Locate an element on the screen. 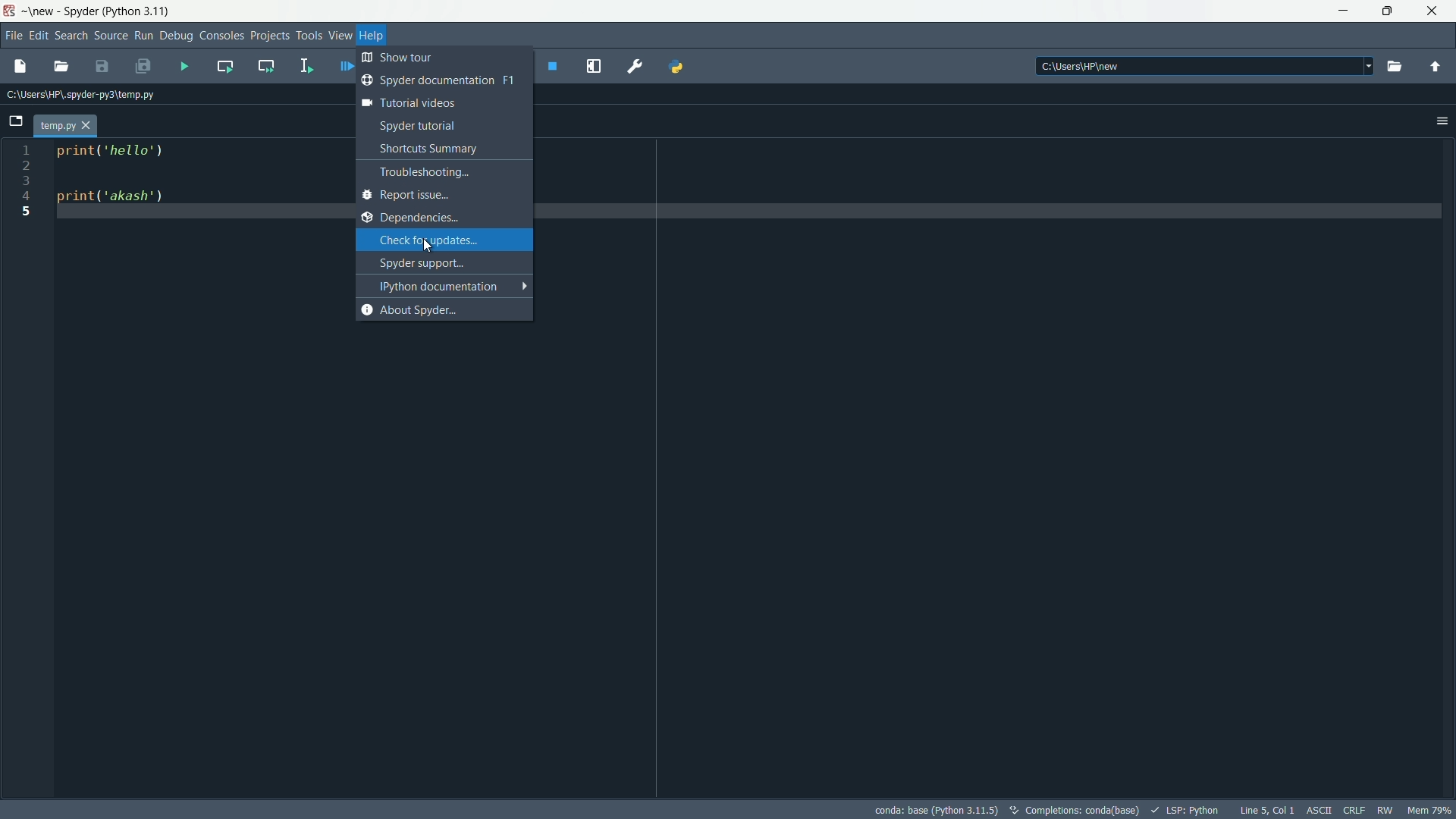  spyder tutorial is located at coordinates (439, 124).